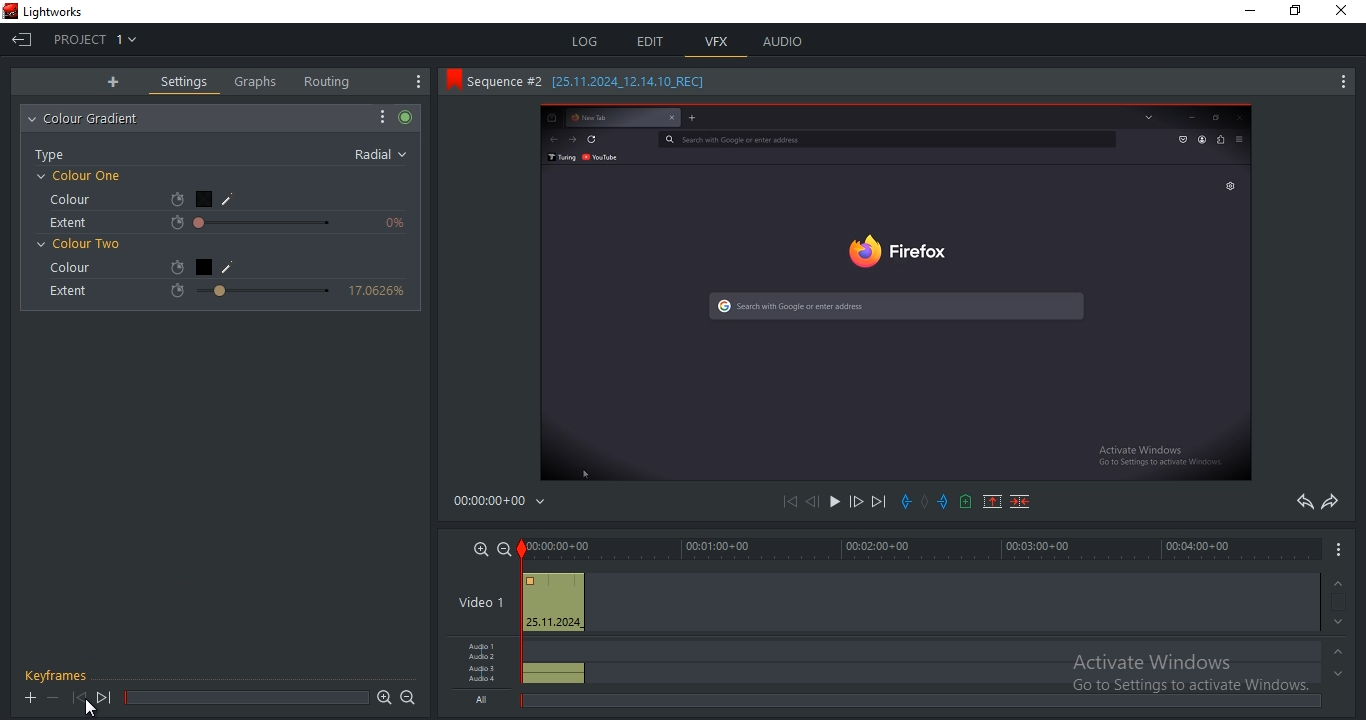  I want to click on undo, so click(1299, 503).